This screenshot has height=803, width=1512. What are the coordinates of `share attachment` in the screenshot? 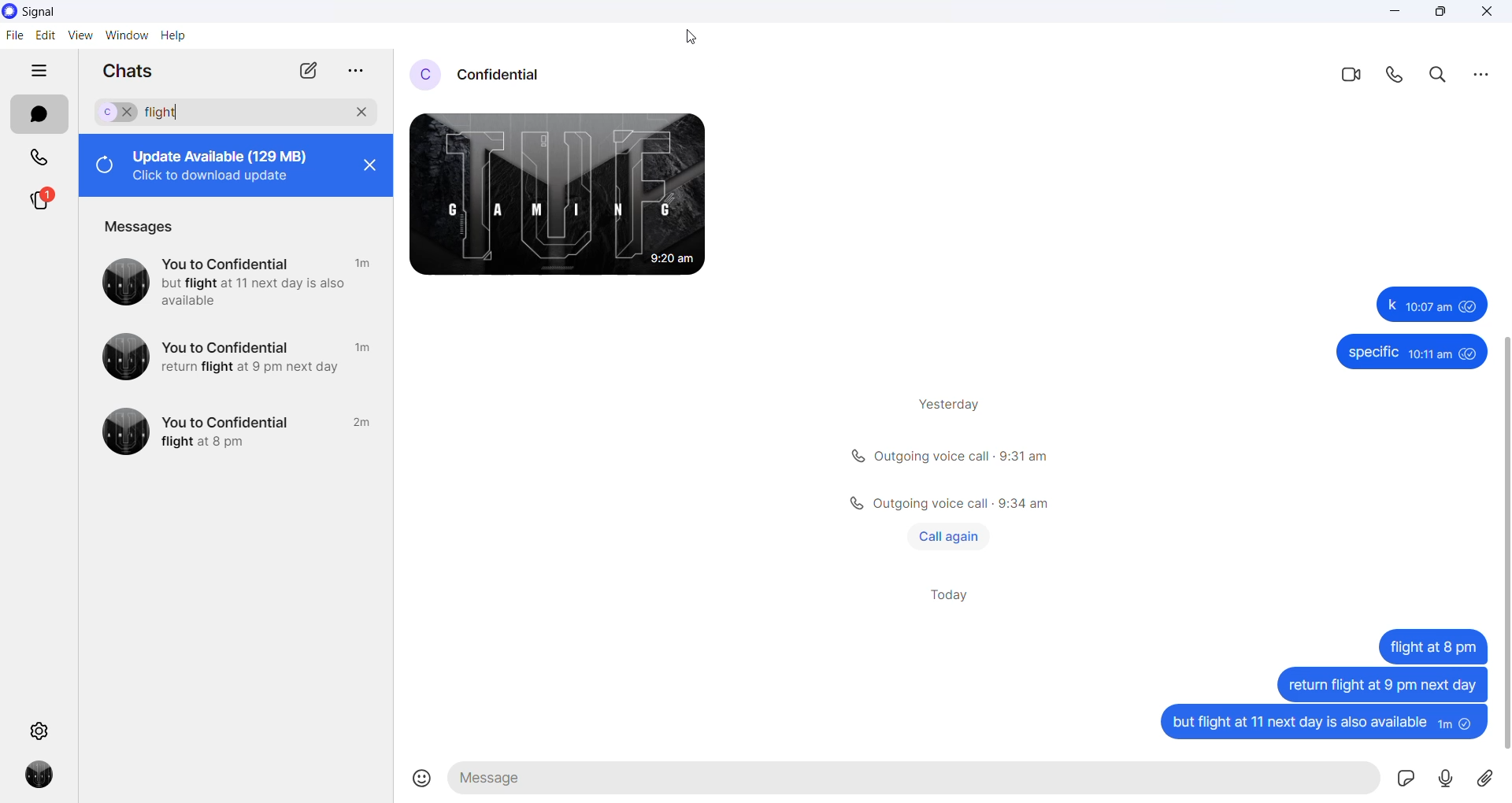 It's located at (1492, 781).